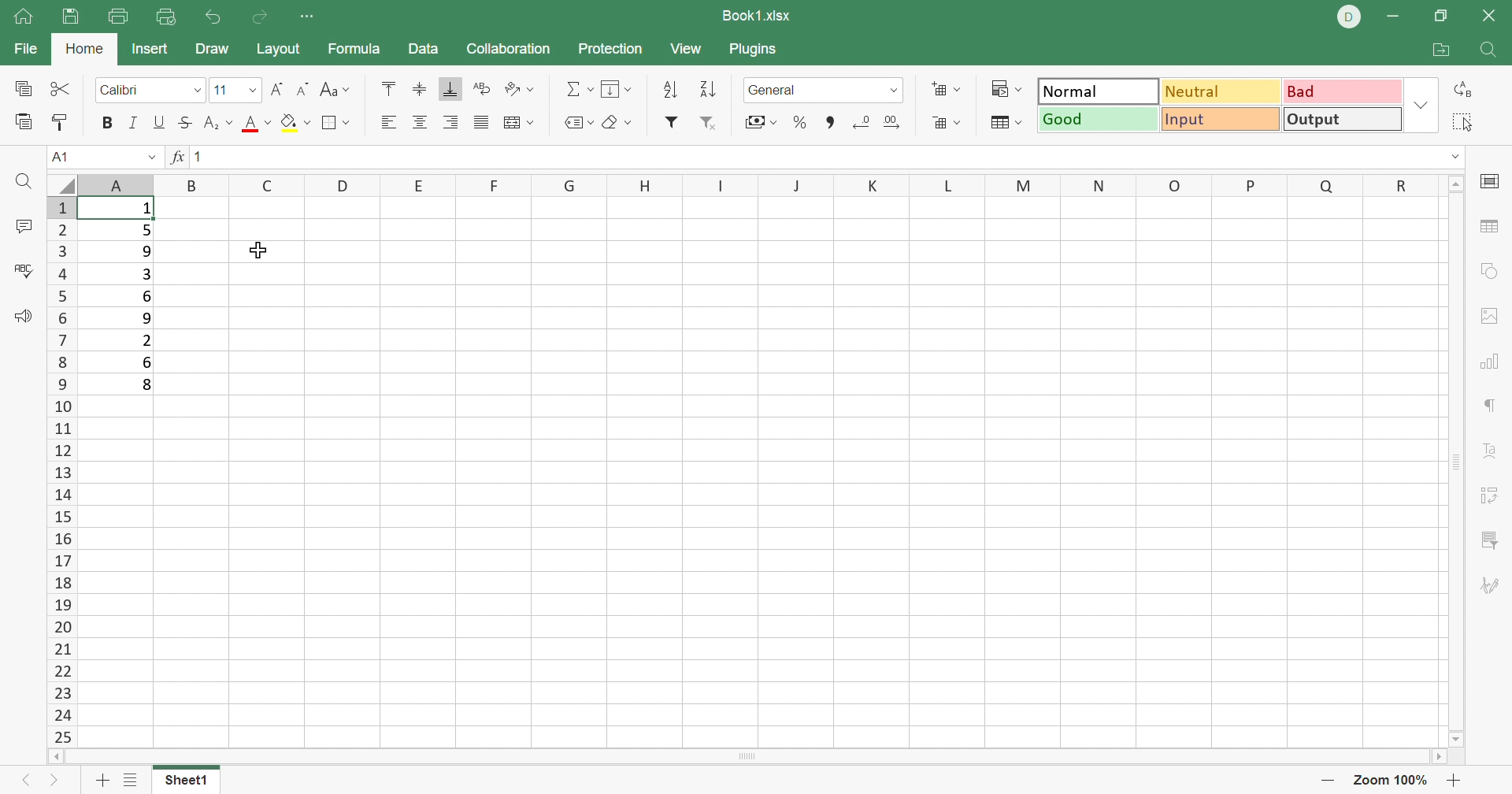  What do you see at coordinates (389, 92) in the screenshot?
I see `Align Top` at bounding box center [389, 92].